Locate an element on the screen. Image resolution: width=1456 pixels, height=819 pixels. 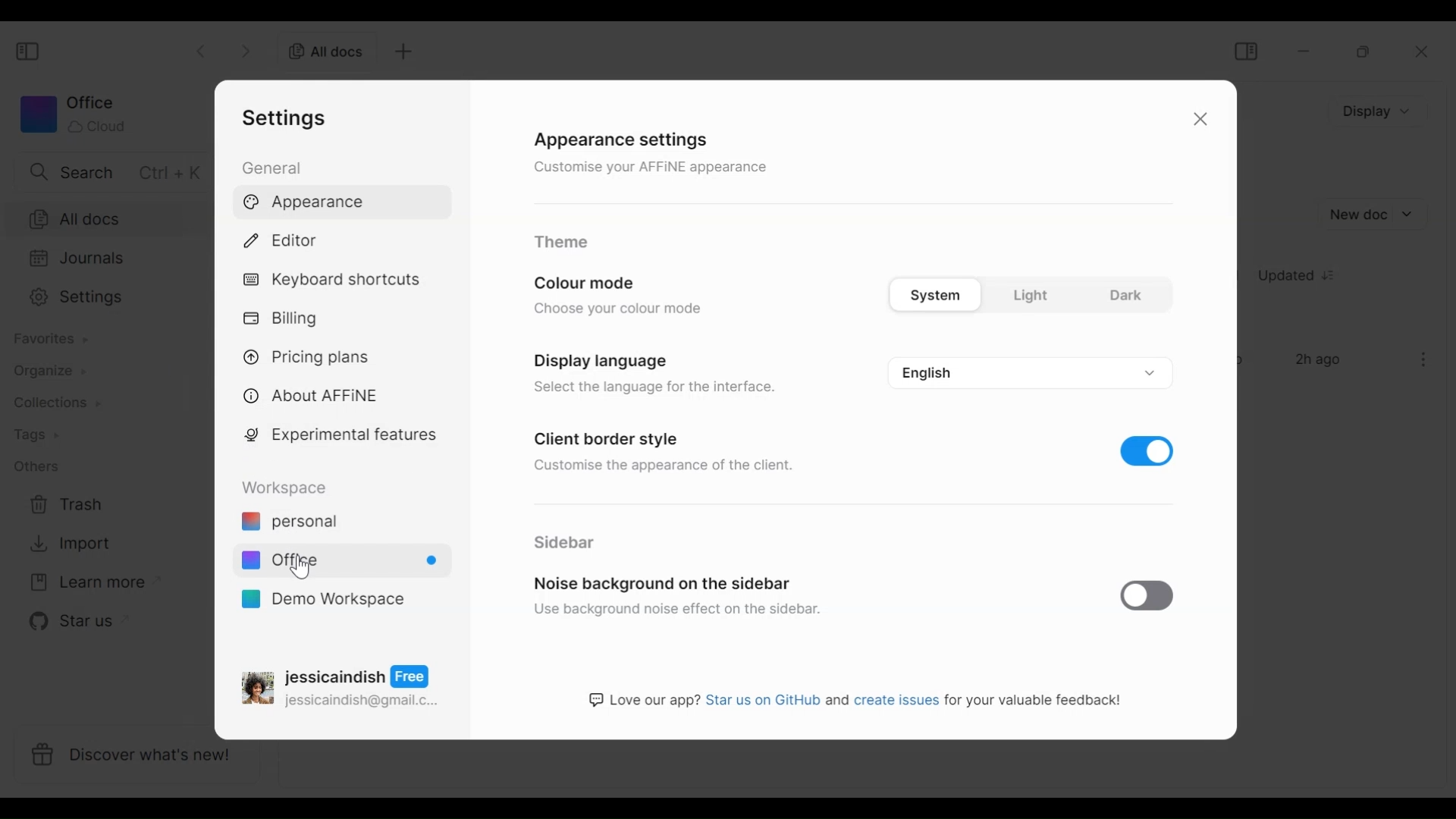
Updated is located at coordinates (1302, 278).